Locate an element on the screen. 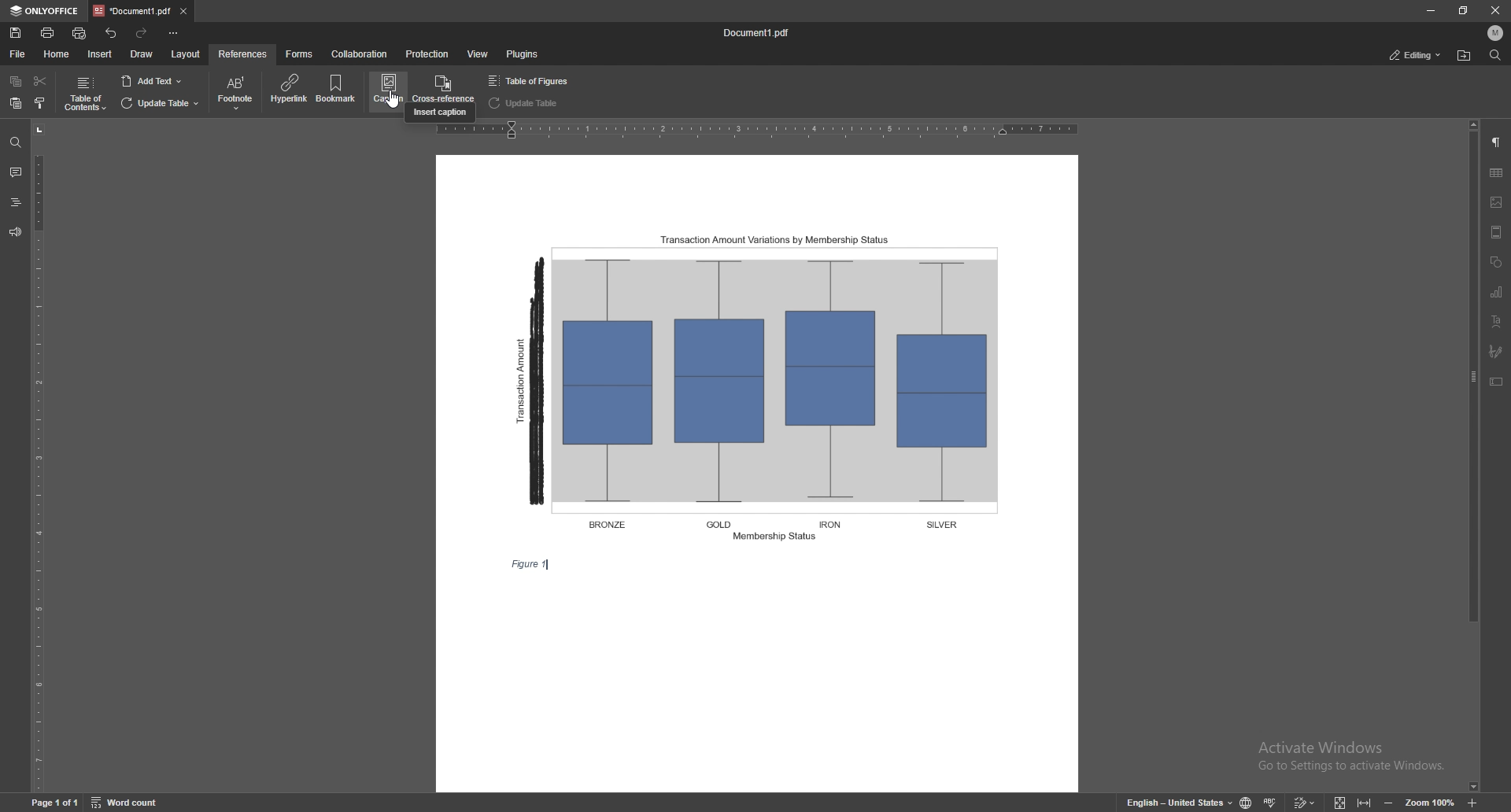 This screenshot has width=1511, height=812. view is located at coordinates (478, 54).